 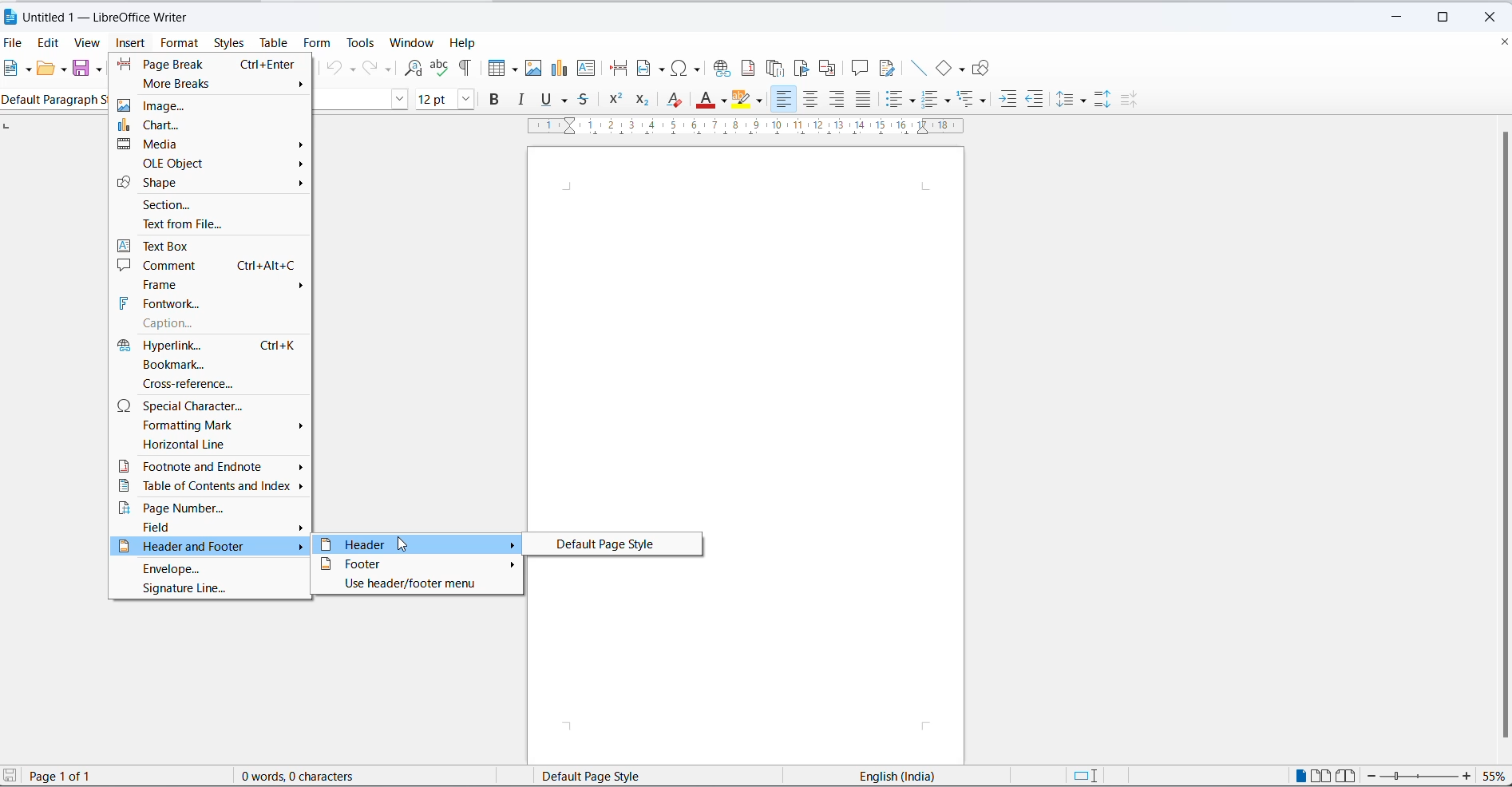 What do you see at coordinates (209, 489) in the screenshot?
I see `table of contents and index` at bounding box center [209, 489].